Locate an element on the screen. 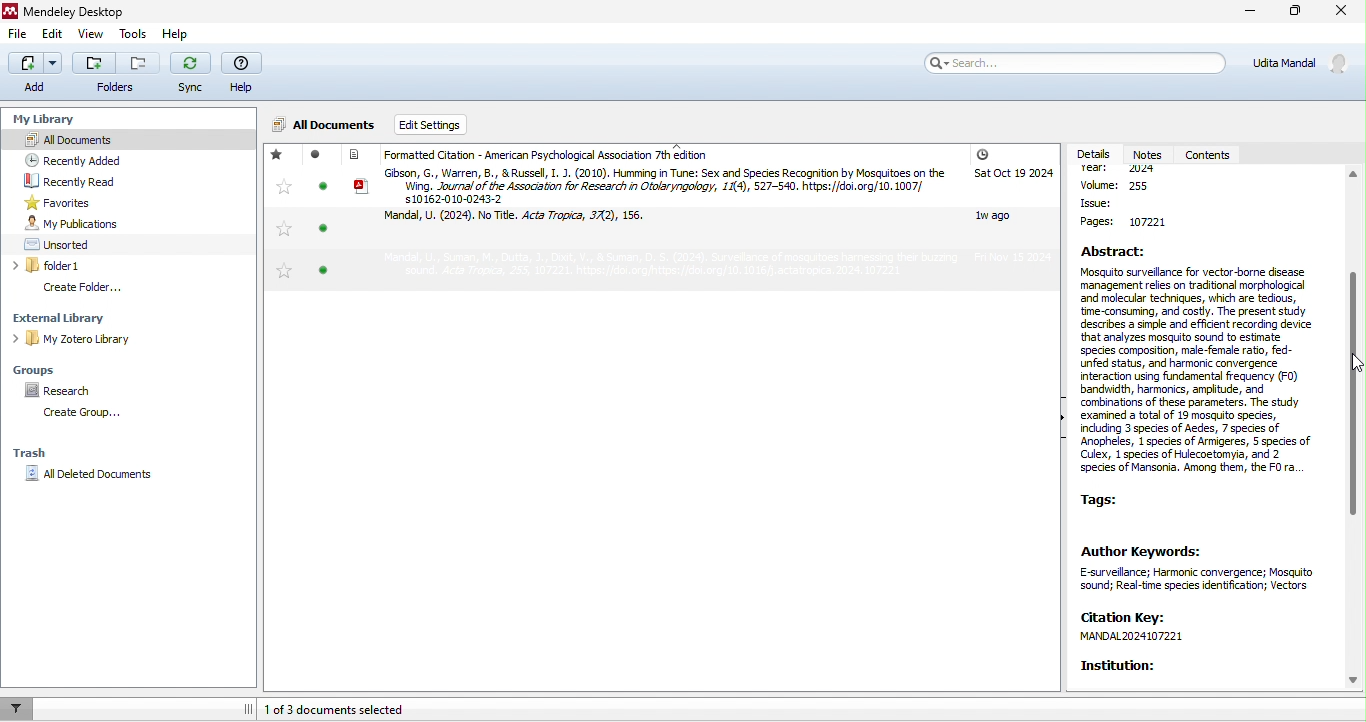 This screenshot has width=1366, height=722. create group is located at coordinates (86, 414).